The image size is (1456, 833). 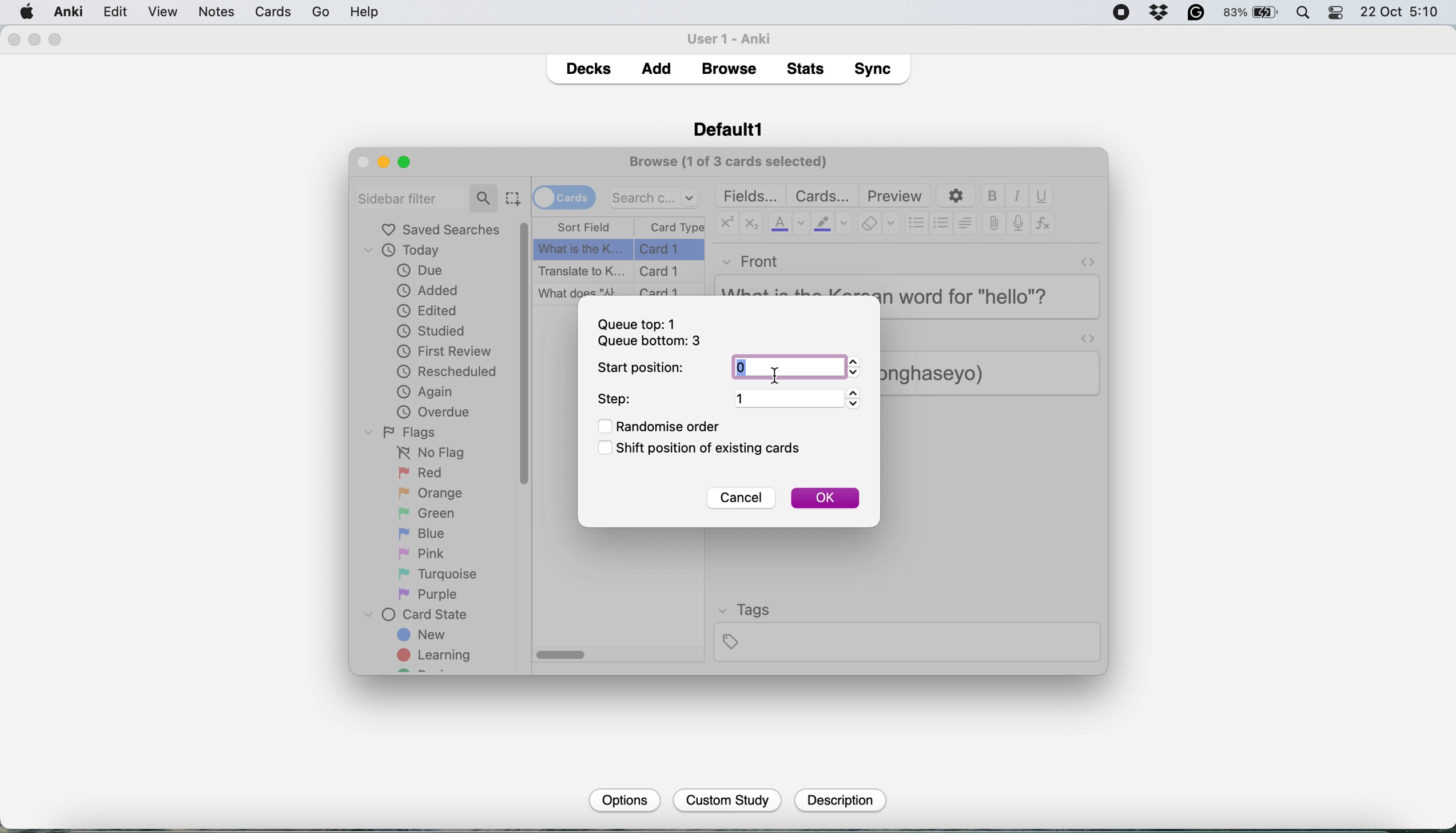 What do you see at coordinates (430, 532) in the screenshot?
I see `blue` at bounding box center [430, 532].